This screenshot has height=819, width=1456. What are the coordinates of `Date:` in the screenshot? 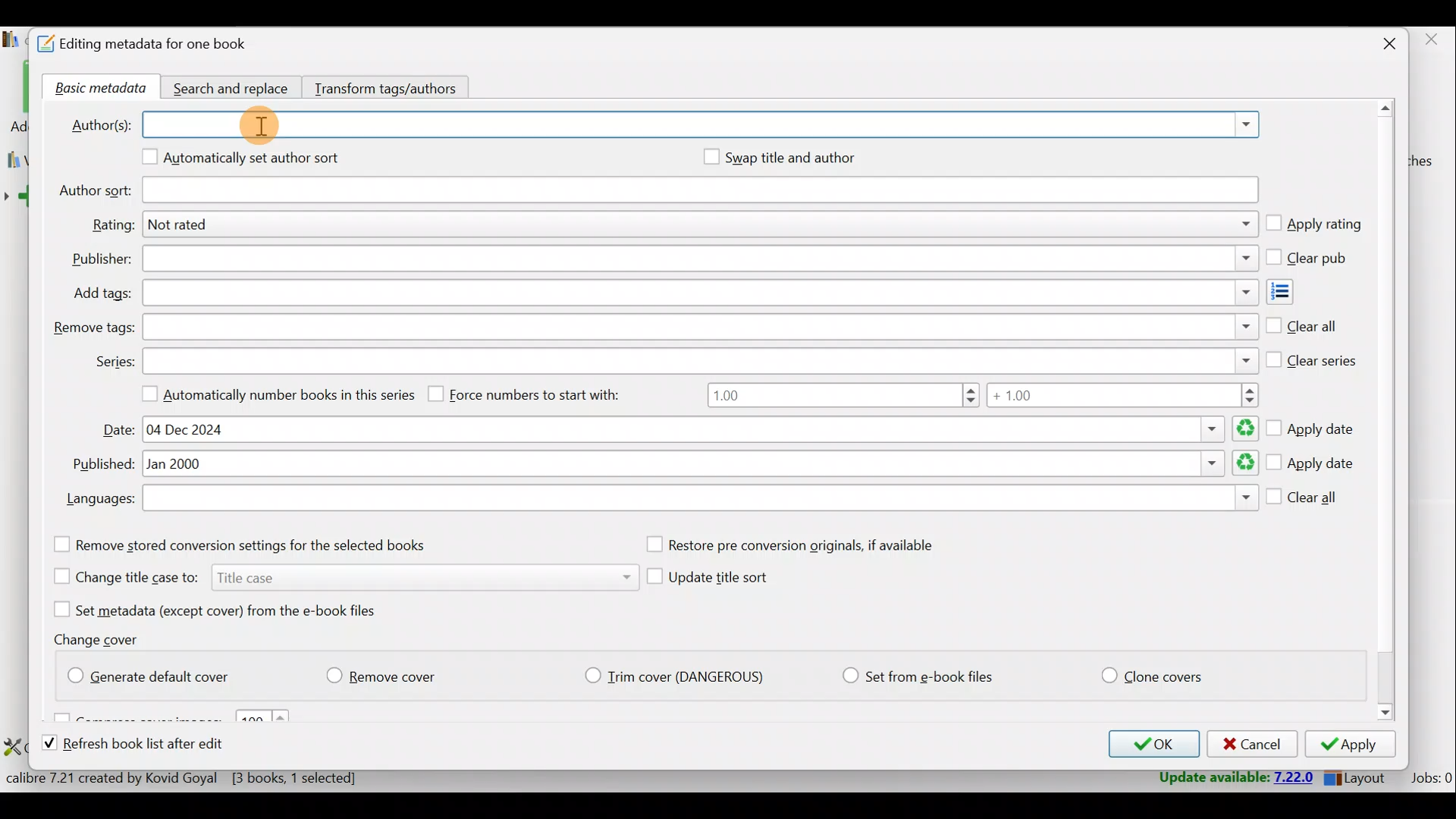 It's located at (119, 430).